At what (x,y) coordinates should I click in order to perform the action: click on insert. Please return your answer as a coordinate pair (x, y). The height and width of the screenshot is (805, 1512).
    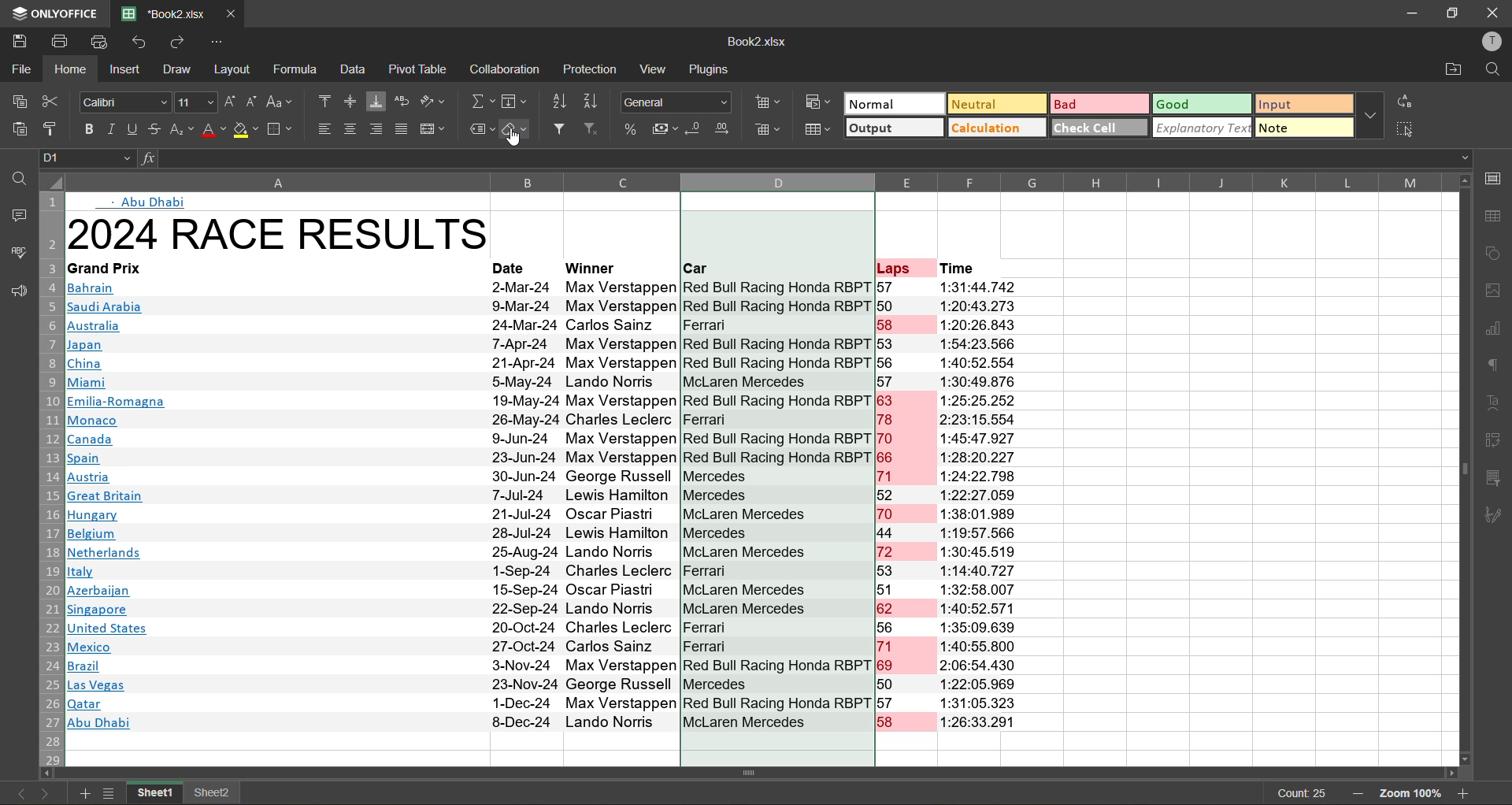
    Looking at the image, I should click on (128, 71).